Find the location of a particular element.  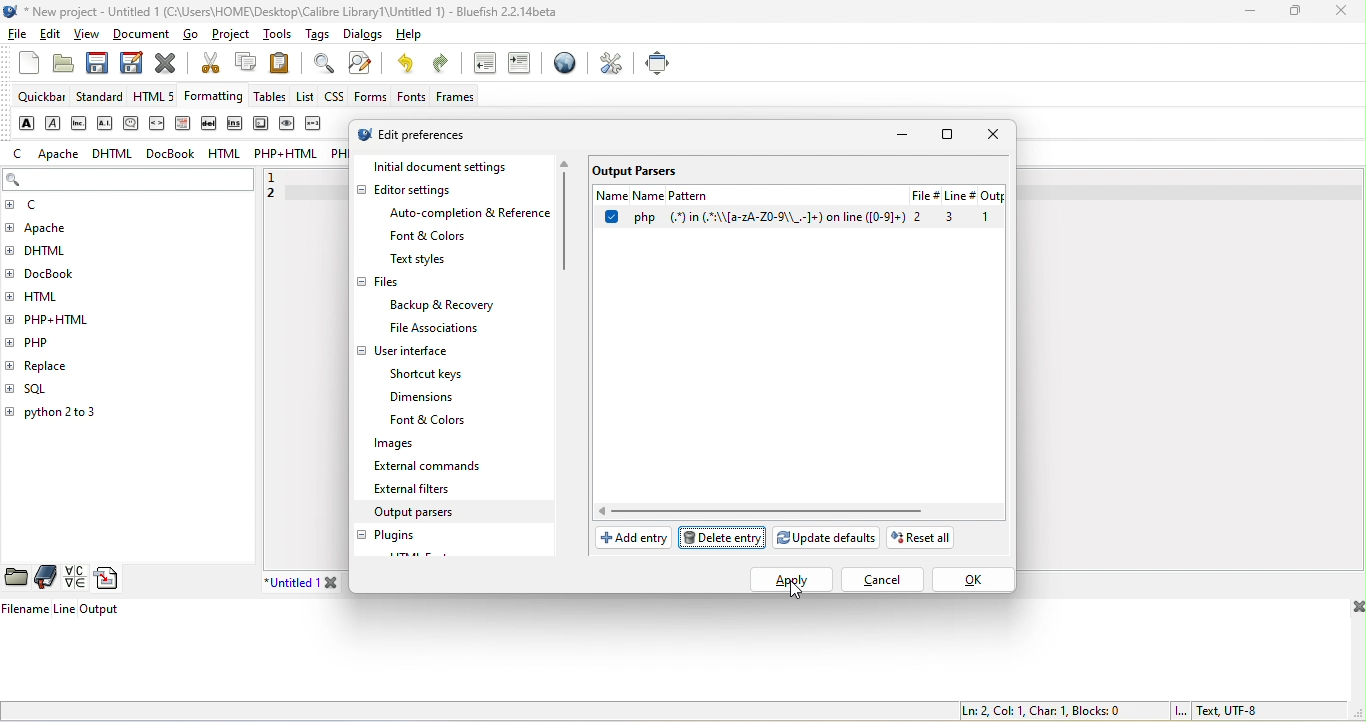

tools is located at coordinates (275, 37).